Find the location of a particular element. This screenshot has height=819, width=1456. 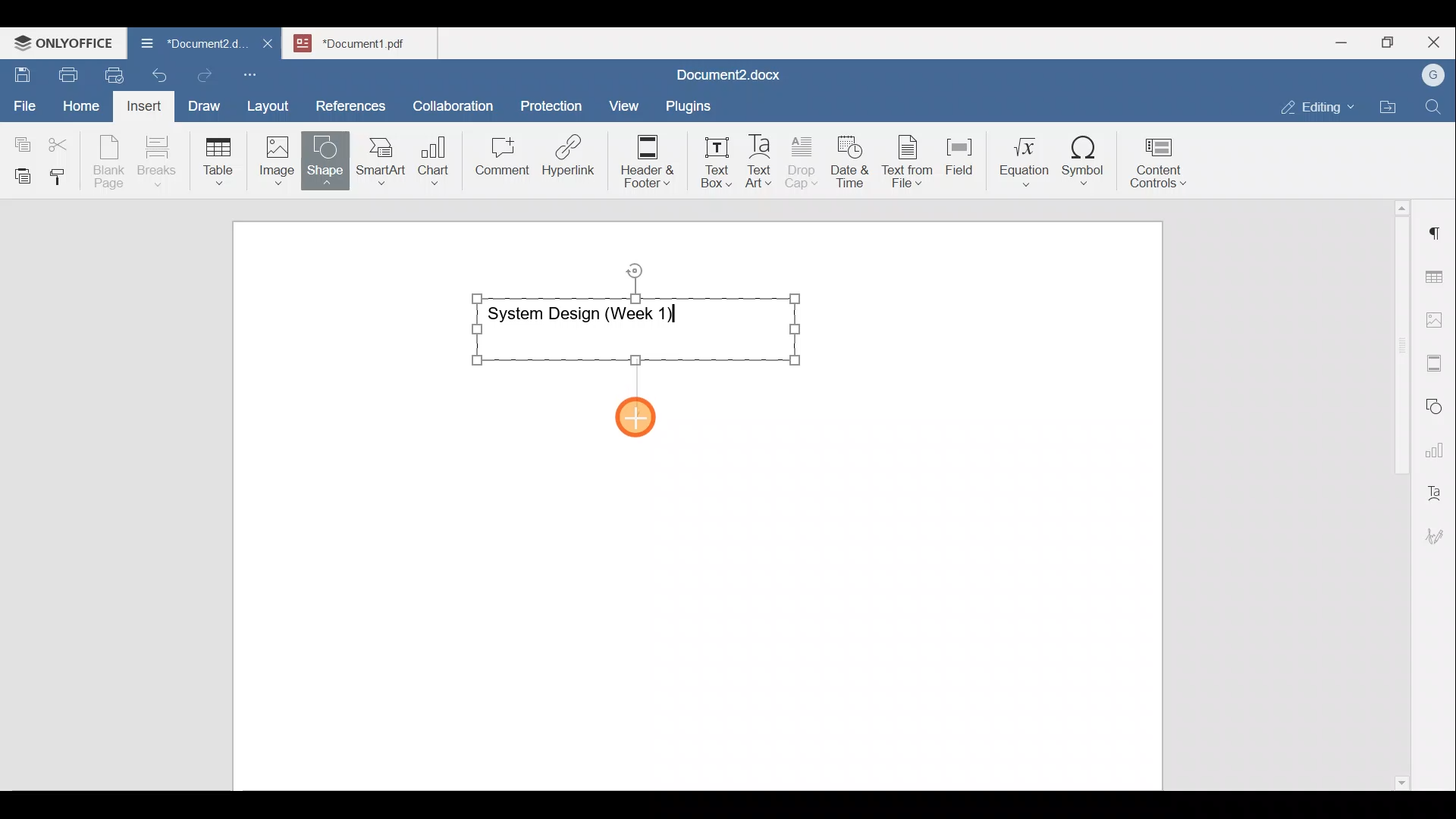

Document name is located at coordinates (369, 41).